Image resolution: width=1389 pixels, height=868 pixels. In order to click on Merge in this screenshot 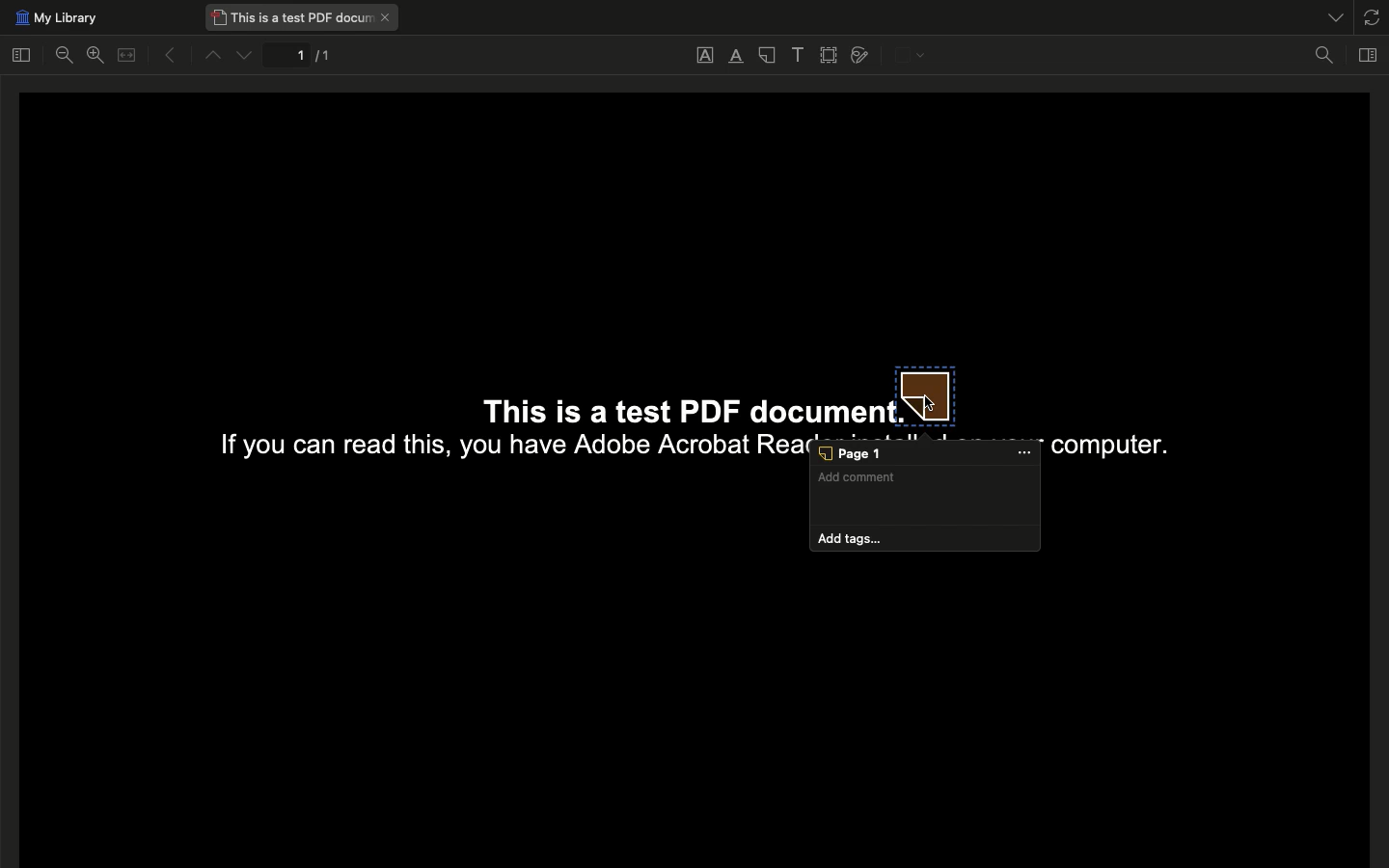, I will do `click(126, 56)`.